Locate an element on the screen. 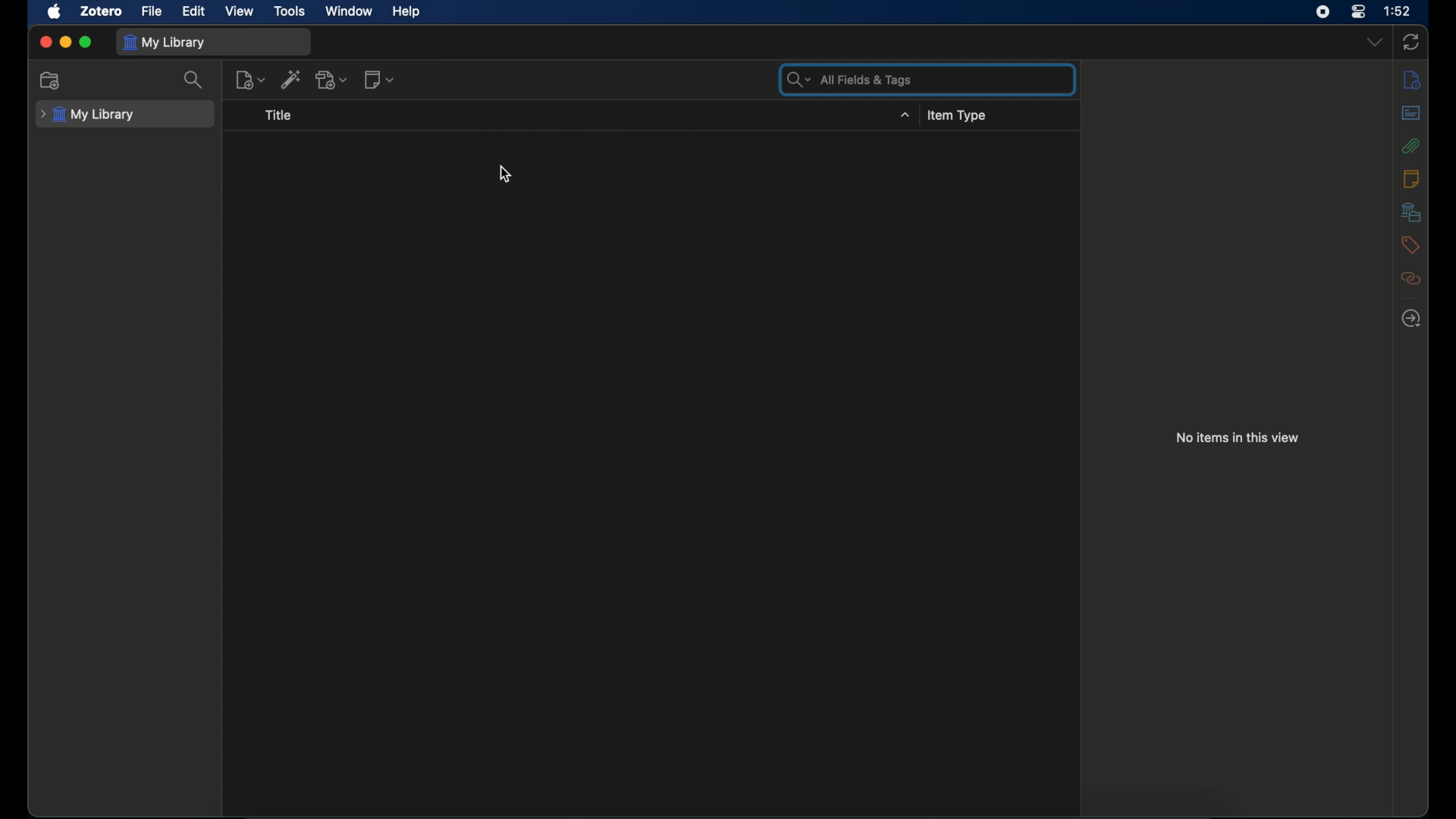 The image size is (1456, 819). zotero is located at coordinates (103, 12).